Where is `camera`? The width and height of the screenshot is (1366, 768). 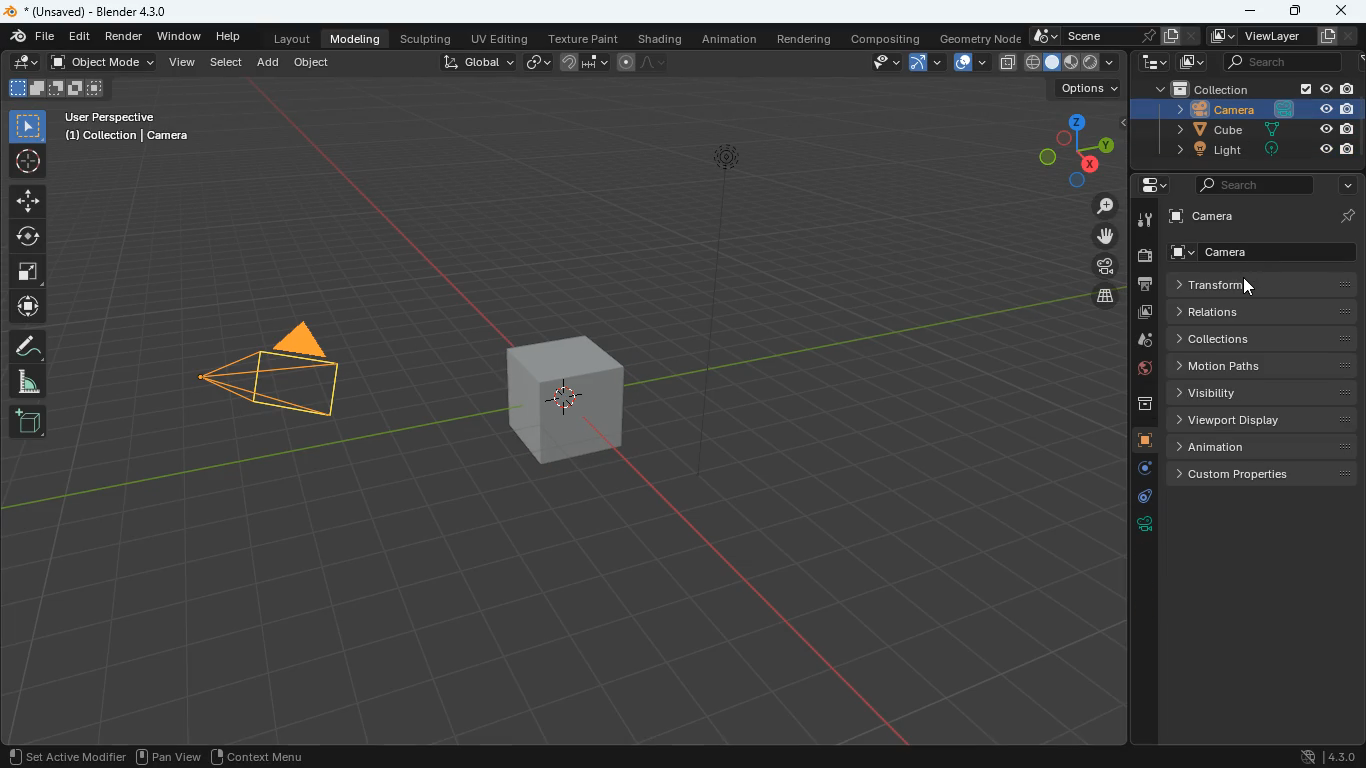
camera is located at coordinates (1246, 110).